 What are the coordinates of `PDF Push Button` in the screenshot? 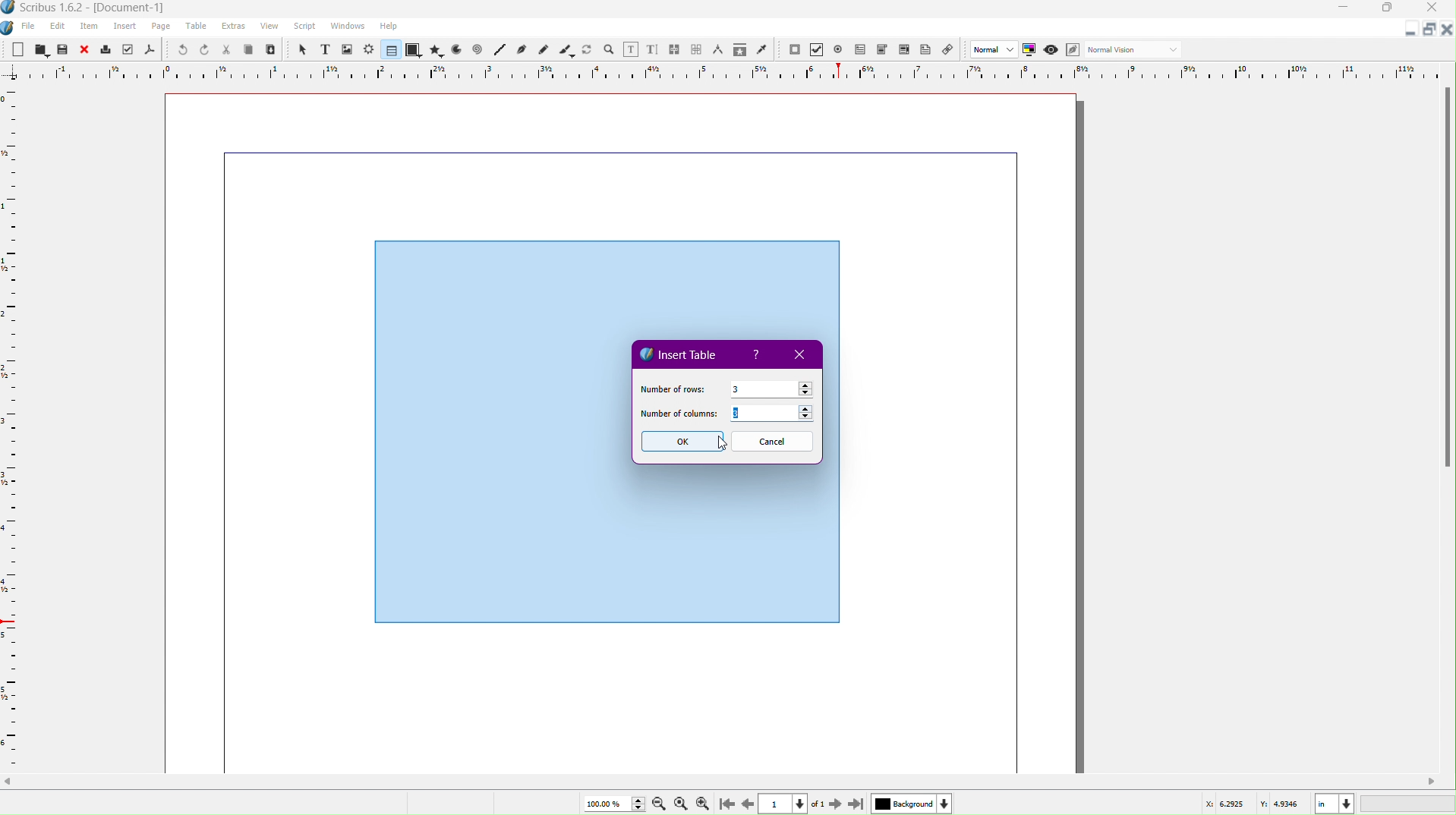 It's located at (794, 50).